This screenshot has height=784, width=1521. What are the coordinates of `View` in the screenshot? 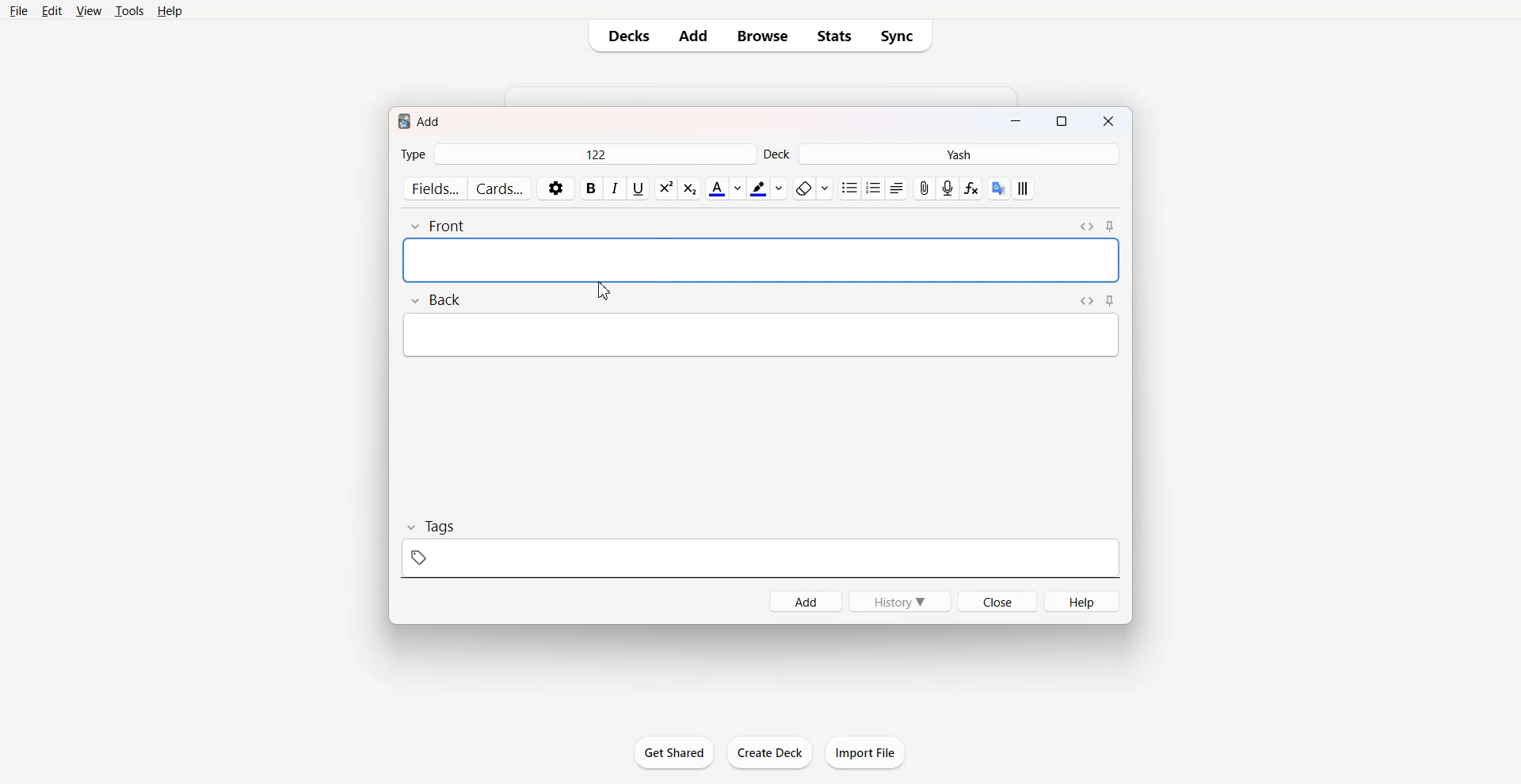 It's located at (89, 12).